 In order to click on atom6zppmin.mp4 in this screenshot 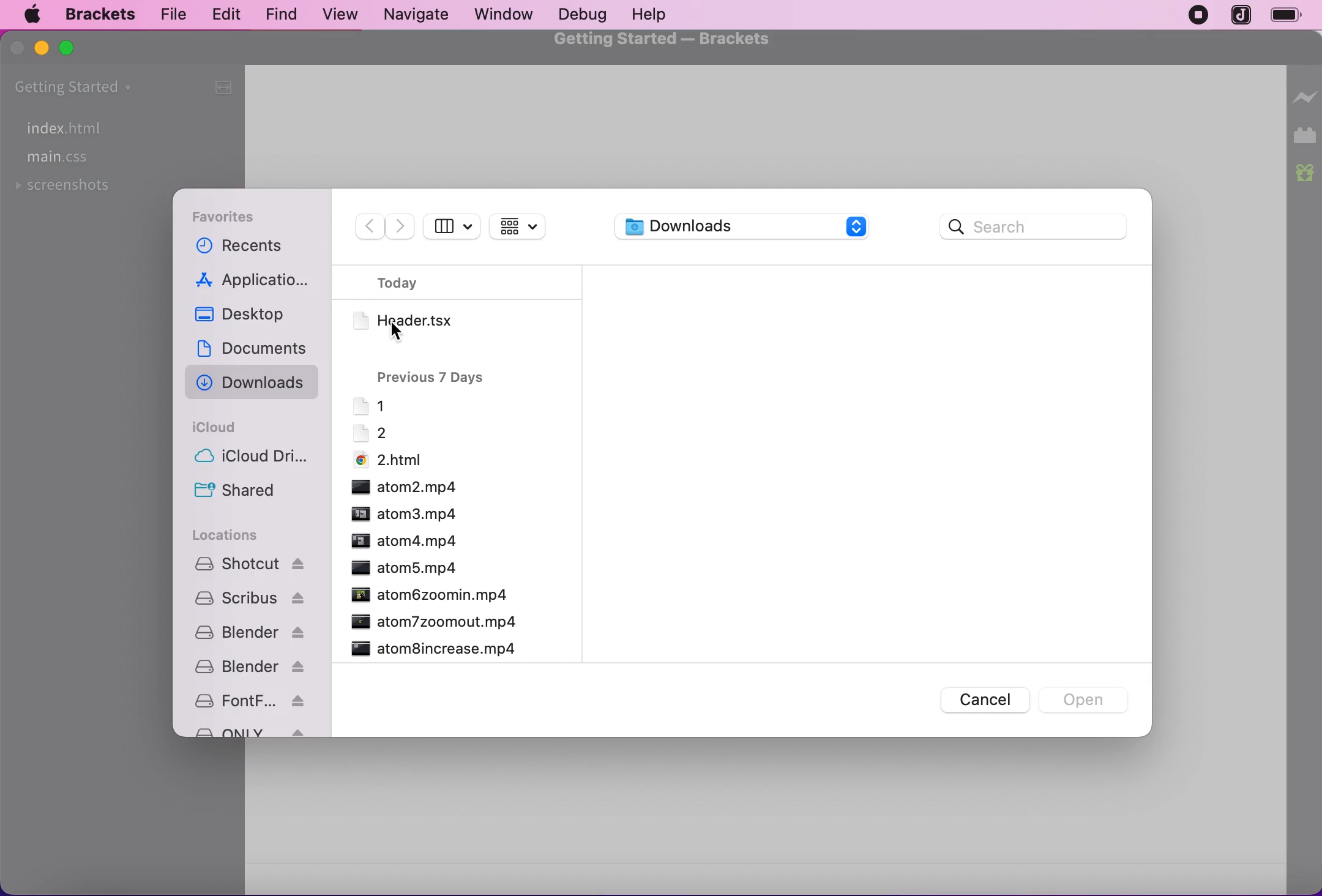, I will do `click(428, 594)`.